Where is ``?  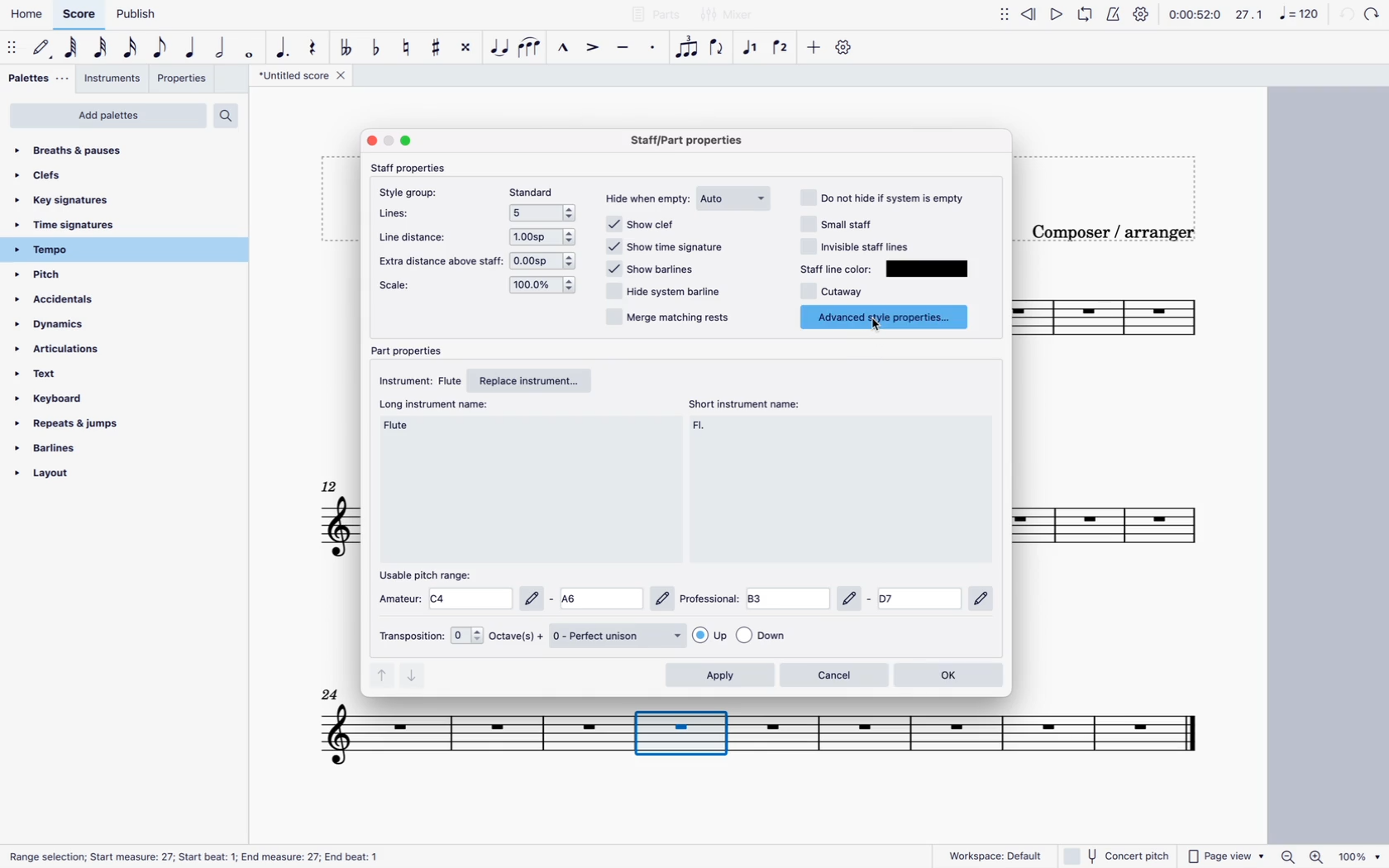
 is located at coordinates (330, 690).